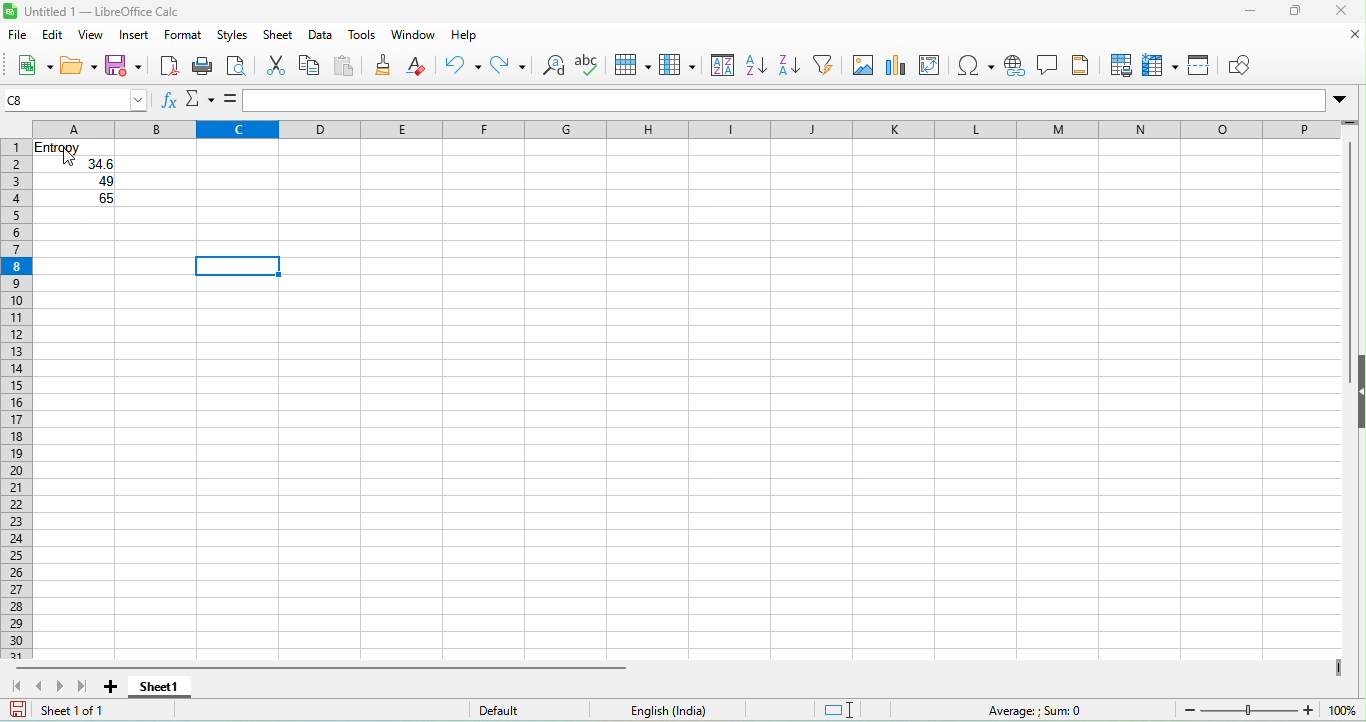  I want to click on undo, so click(461, 70).